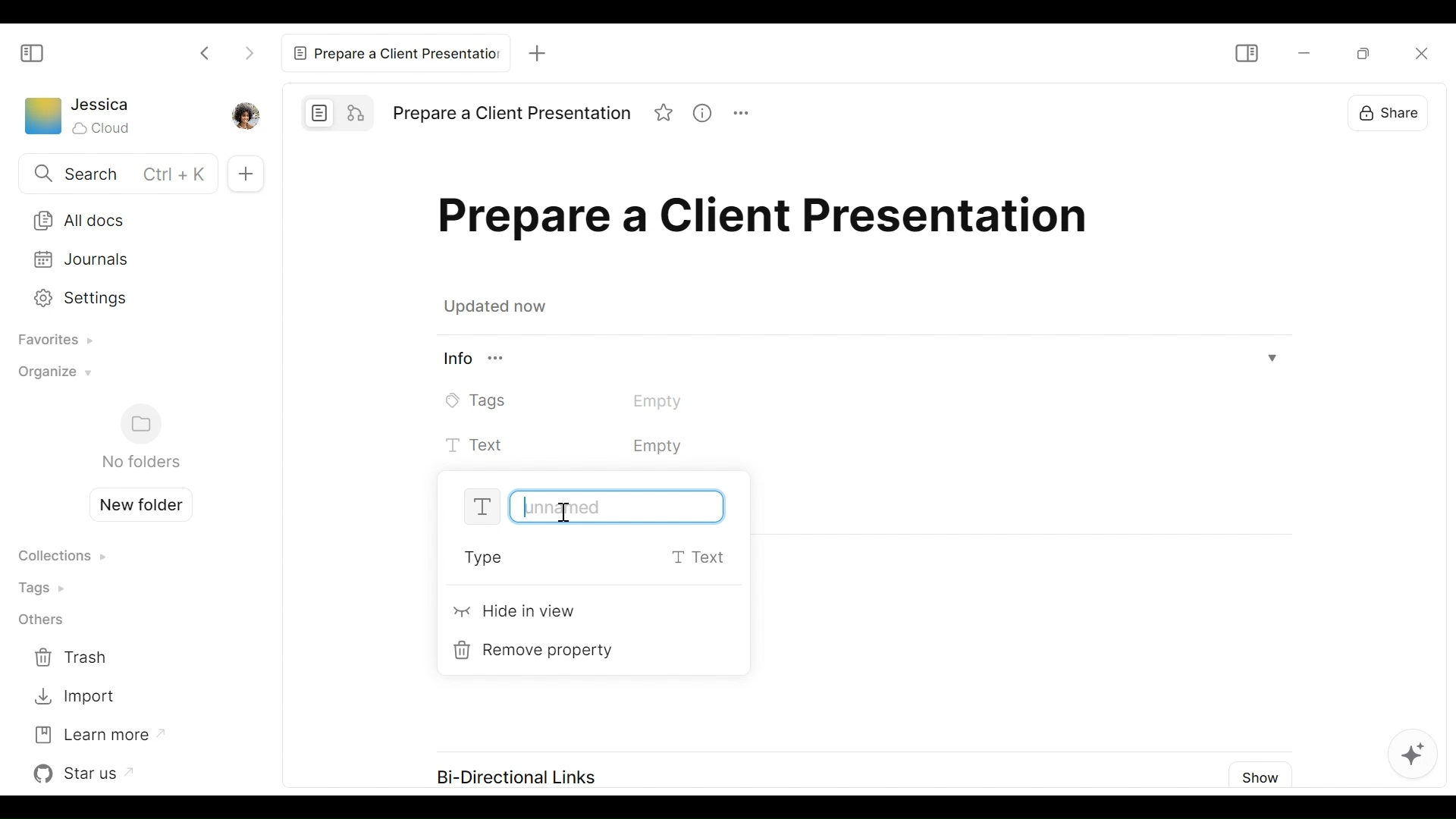 This screenshot has height=819, width=1456. What do you see at coordinates (206, 52) in the screenshot?
I see `Click to go back` at bounding box center [206, 52].